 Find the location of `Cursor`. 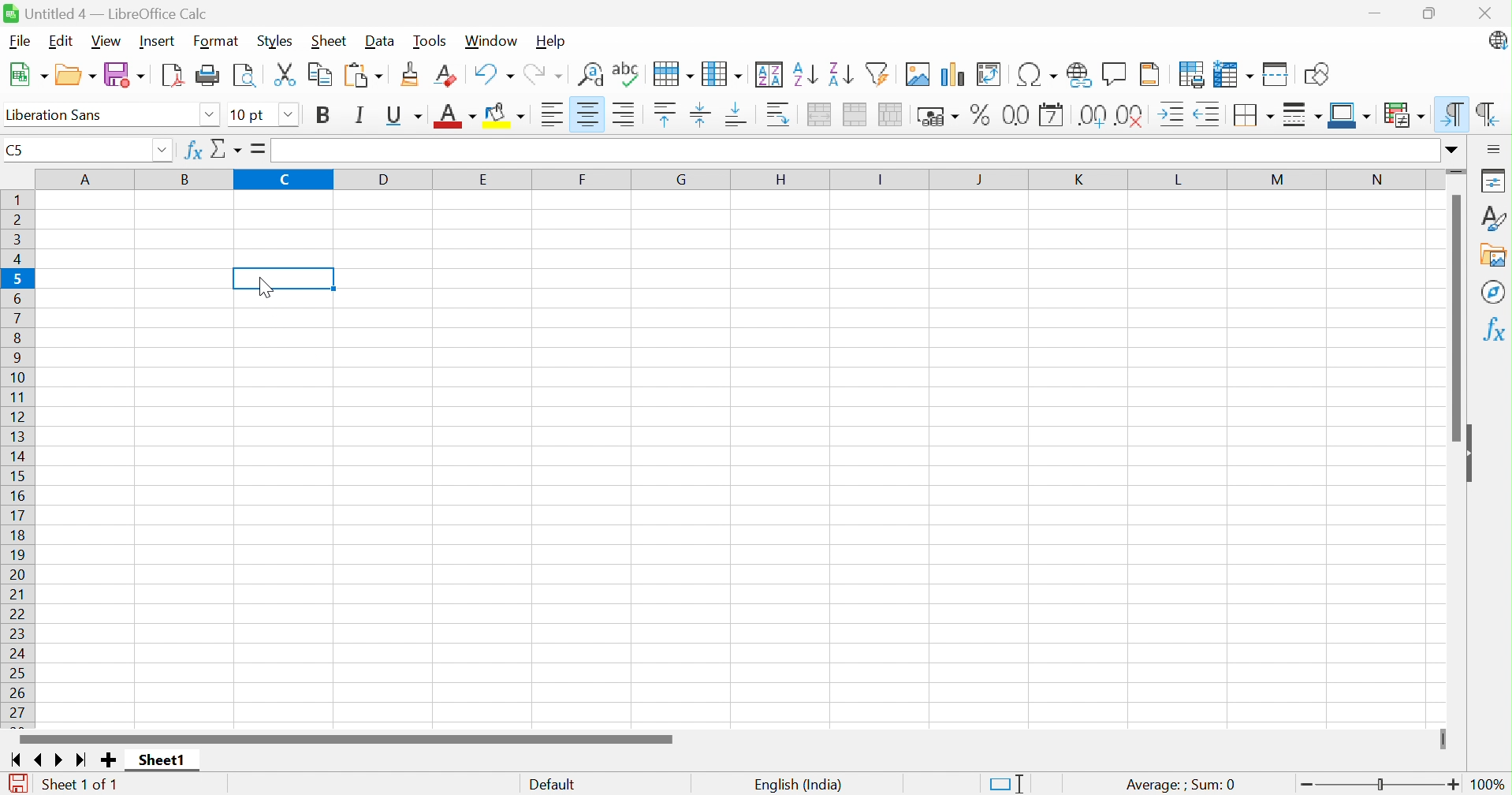

Cursor is located at coordinates (263, 286).